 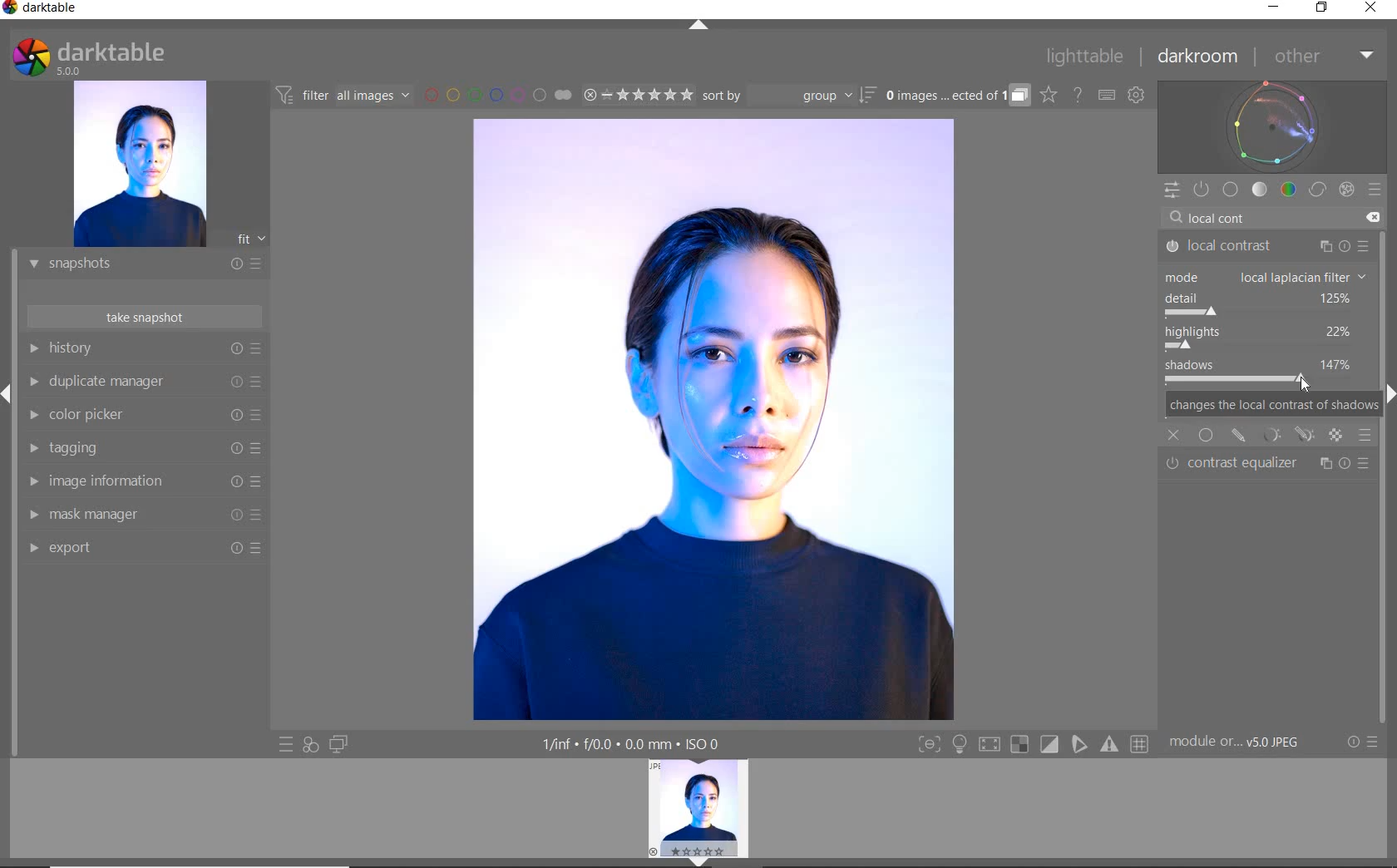 What do you see at coordinates (1136, 96) in the screenshot?
I see `SHOW GLOBAL PREFERENCES` at bounding box center [1136, 96].